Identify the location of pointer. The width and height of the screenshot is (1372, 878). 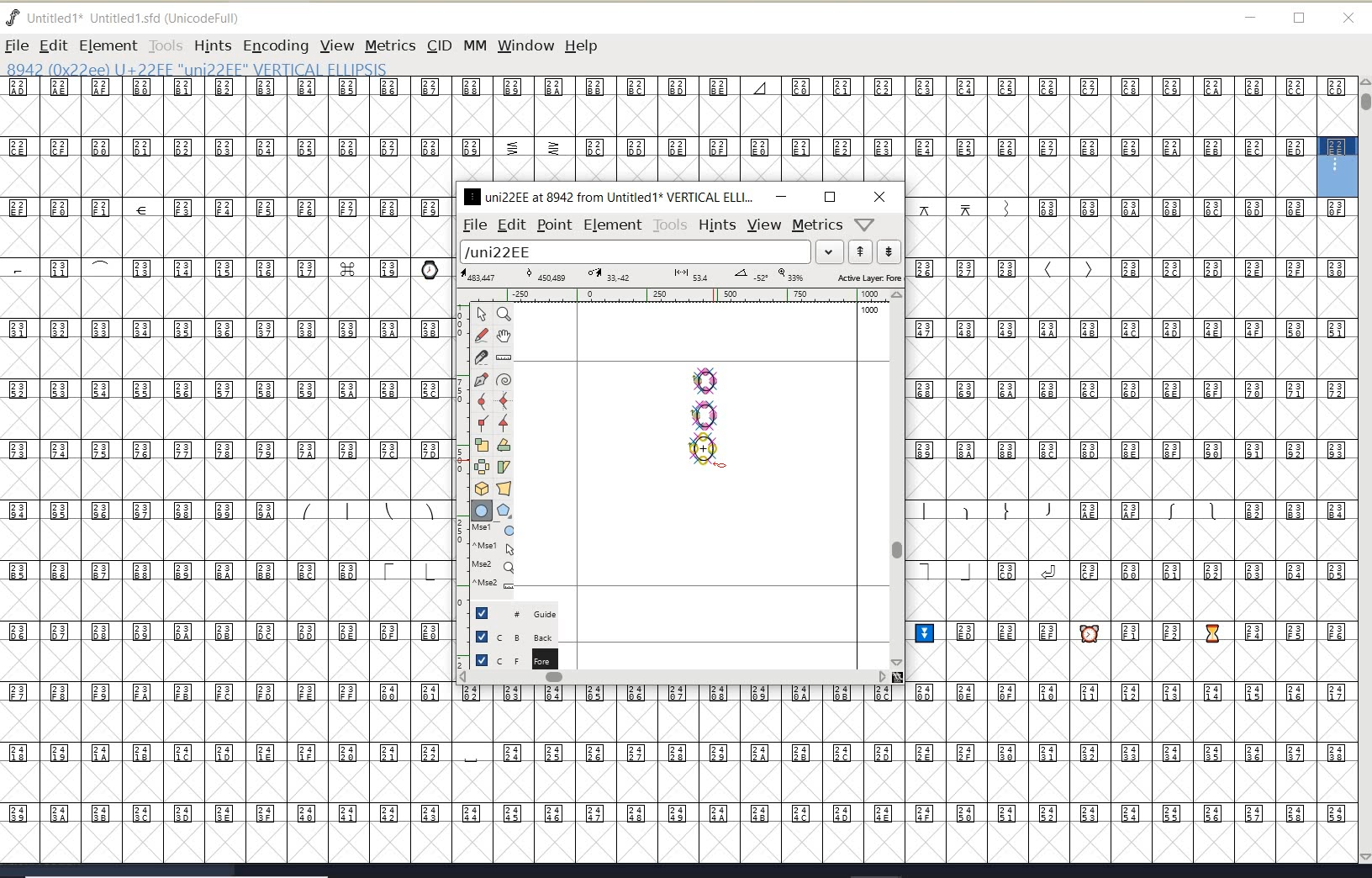
(483, 315).